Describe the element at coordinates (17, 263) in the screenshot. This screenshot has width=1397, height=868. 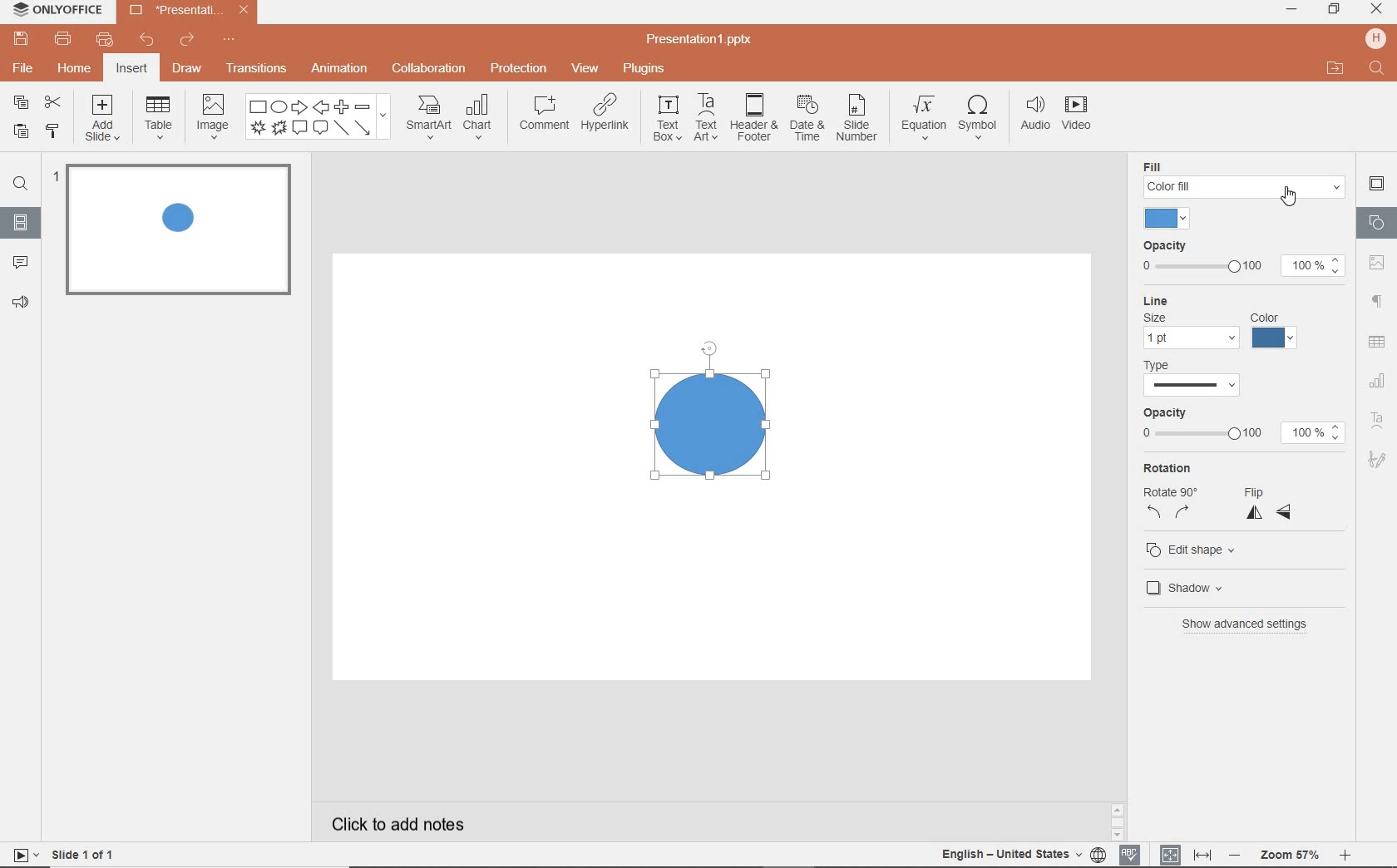
I see `comment` at that location.